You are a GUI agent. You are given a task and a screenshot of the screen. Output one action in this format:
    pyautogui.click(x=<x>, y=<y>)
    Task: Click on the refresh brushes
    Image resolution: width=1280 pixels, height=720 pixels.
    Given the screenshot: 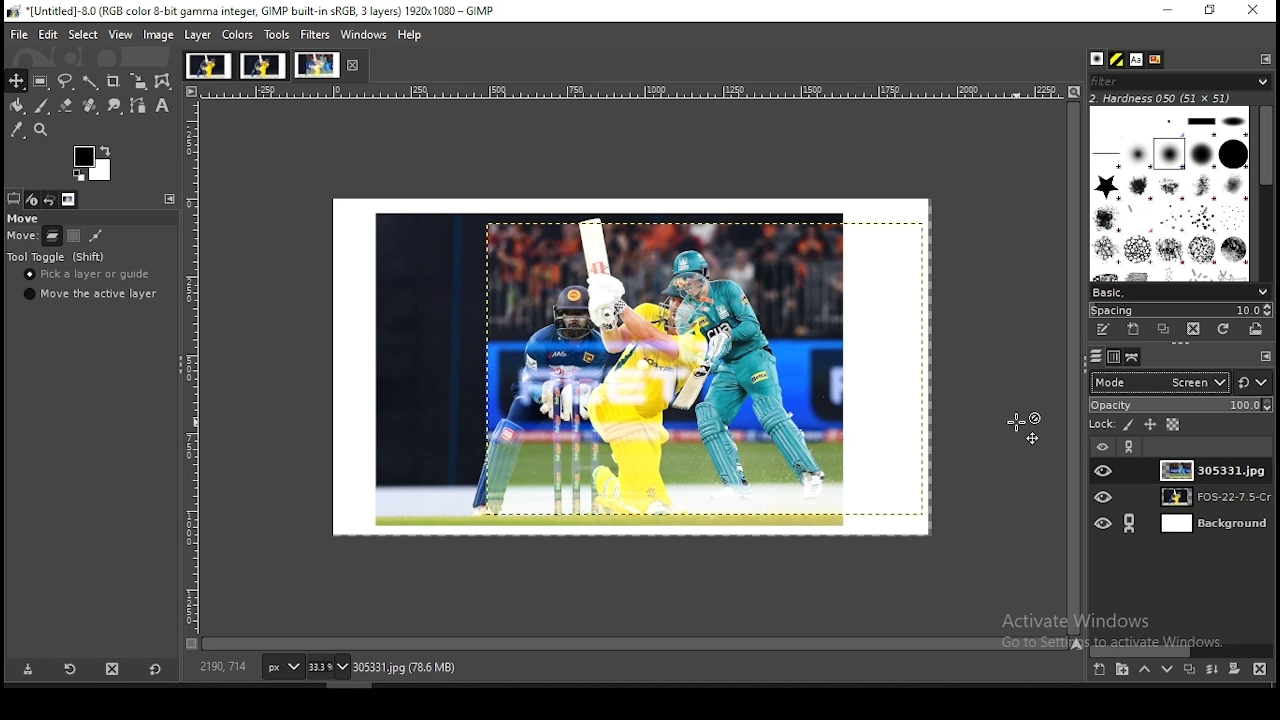 What is the action you would take?
    pyautogui.click(x=1224, y=329)
    